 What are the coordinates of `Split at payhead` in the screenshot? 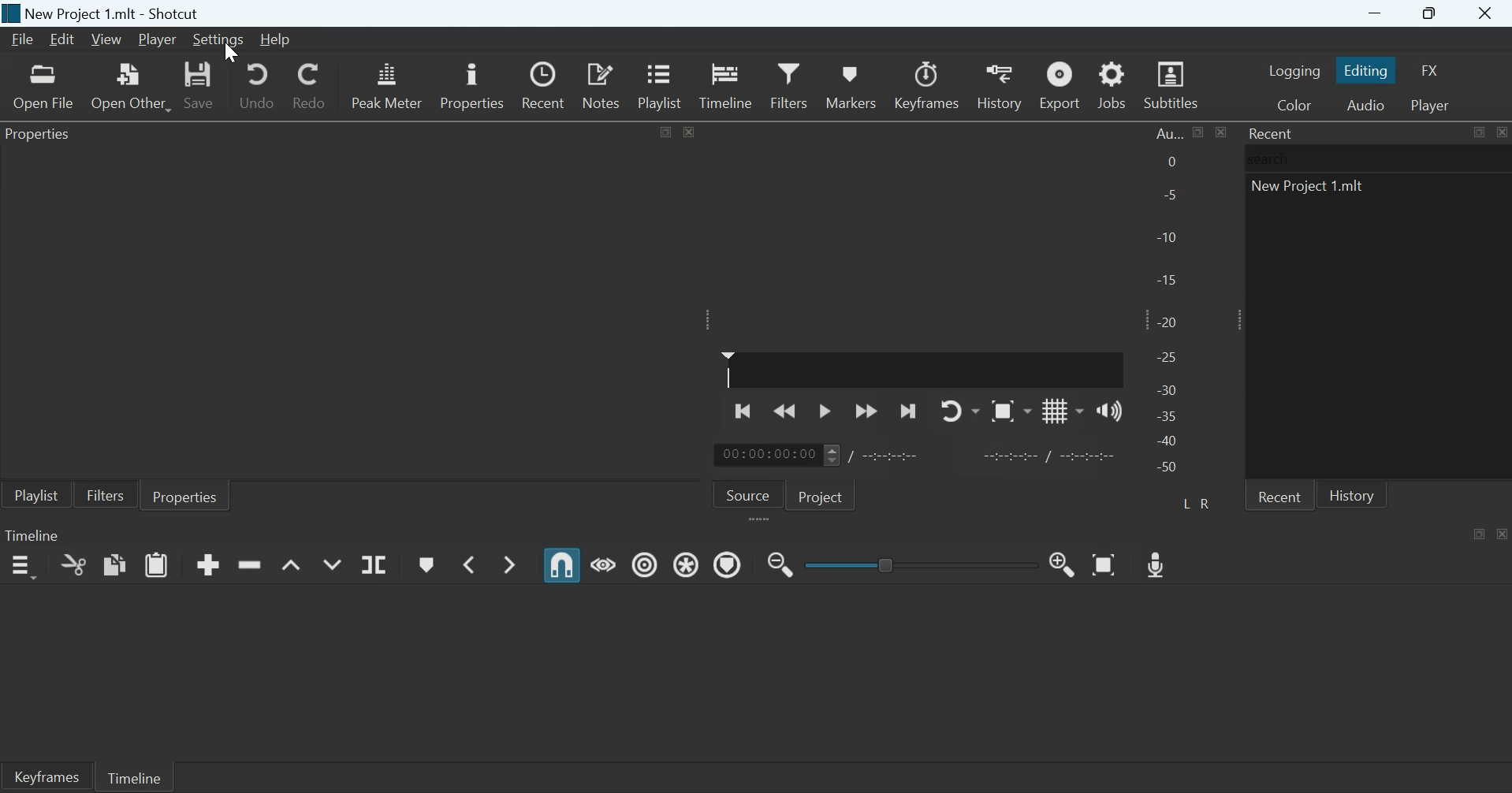 It's located at (375, 565).